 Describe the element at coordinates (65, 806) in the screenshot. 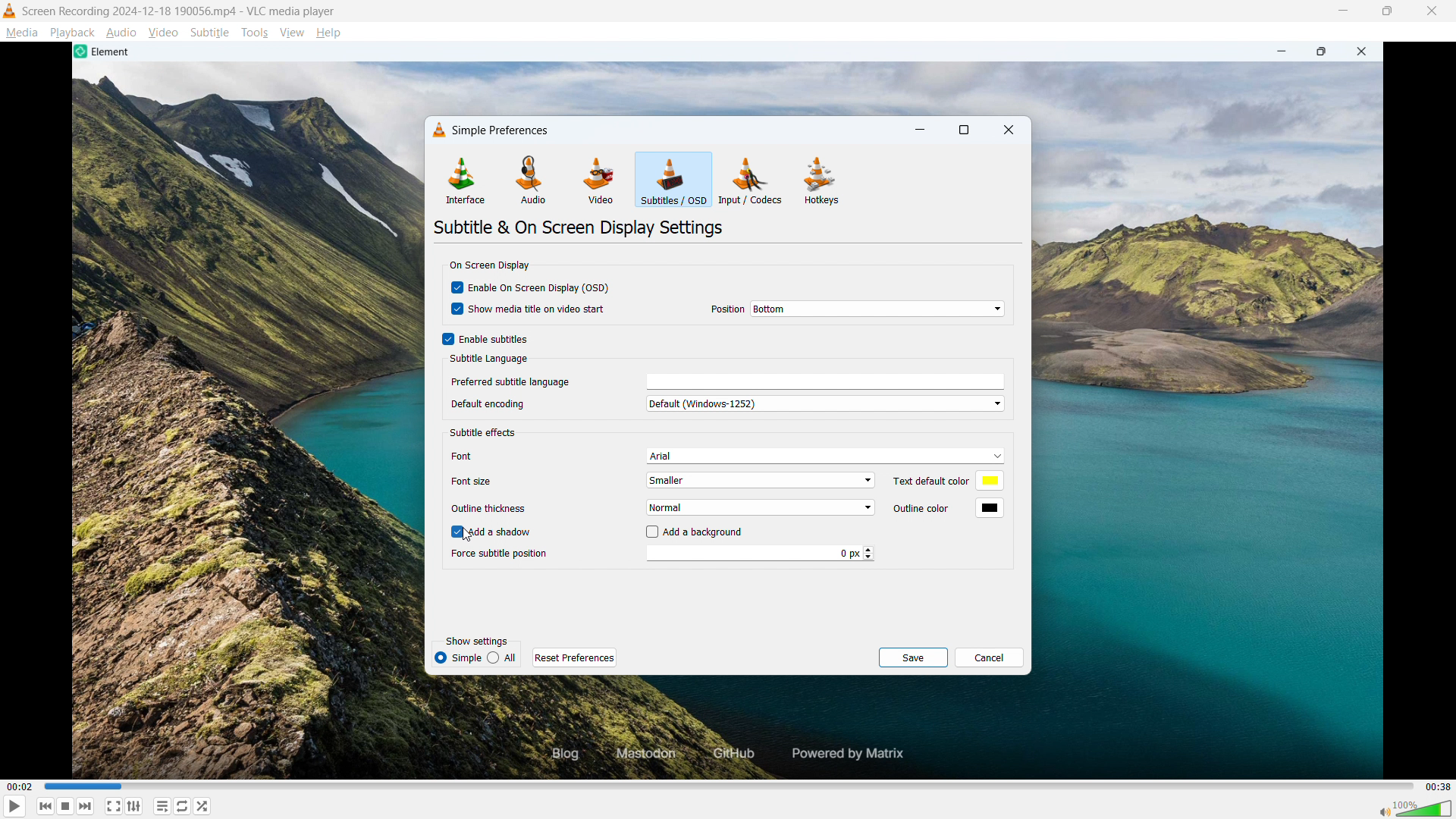

I see `Stop playing ` at that location.